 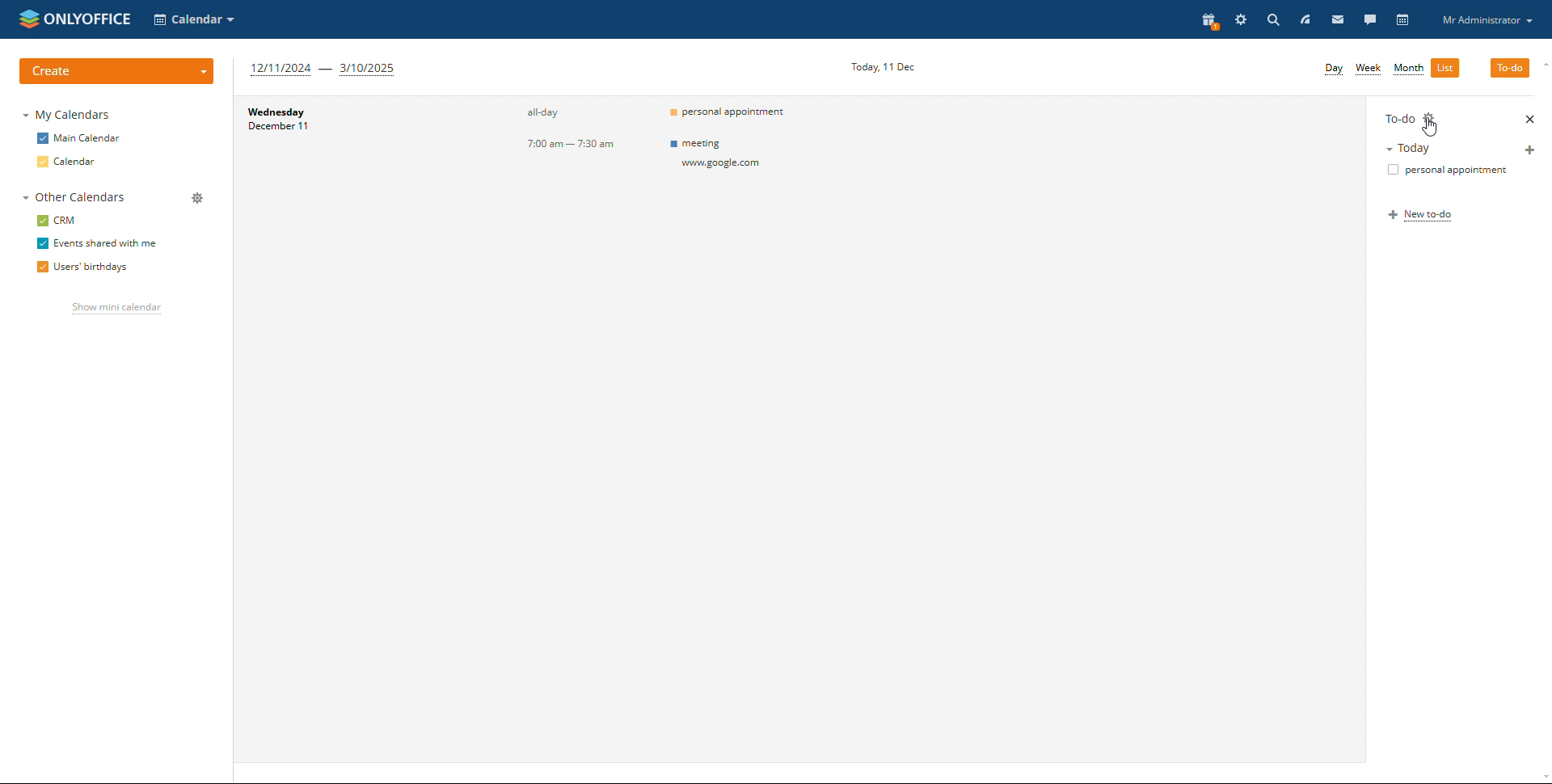 What do you see at coordinates (119, 70) in the screenshot?
I see `create` at bounding box center [119, 70].